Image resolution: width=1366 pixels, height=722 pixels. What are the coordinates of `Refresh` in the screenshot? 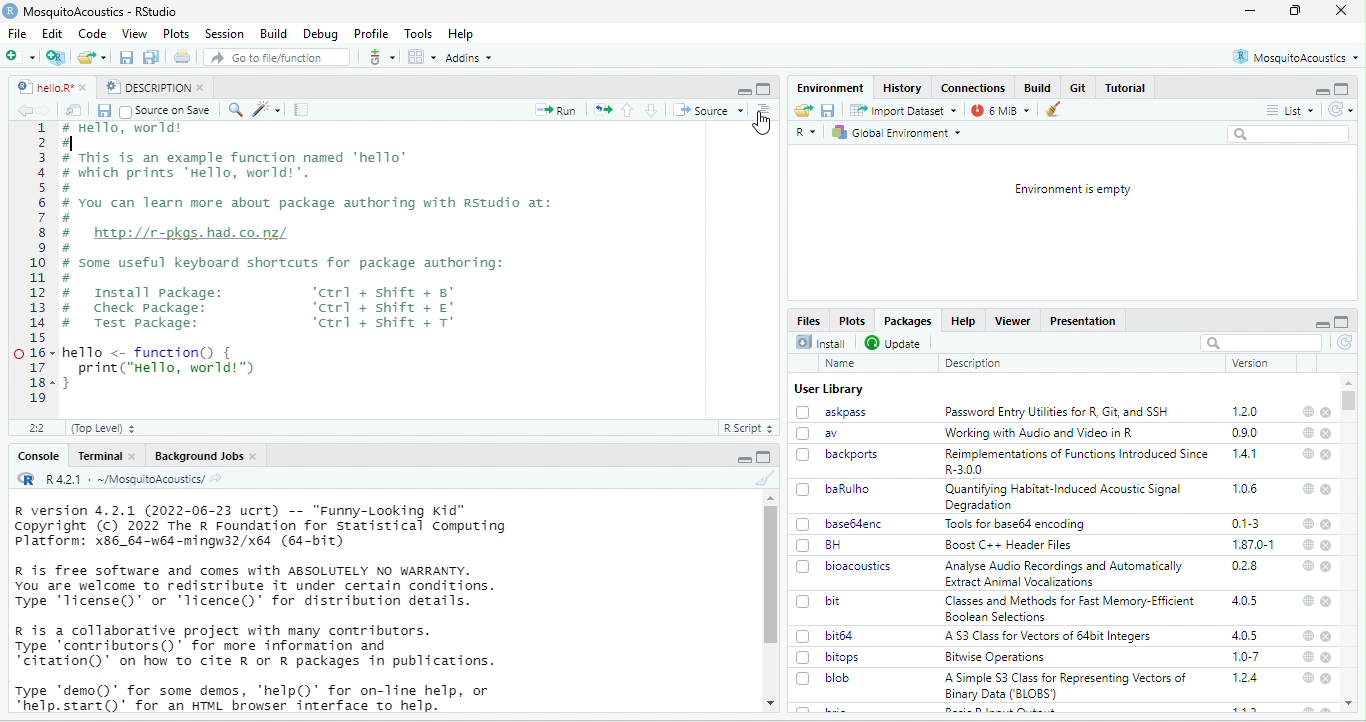 It's located at (1340, 109).